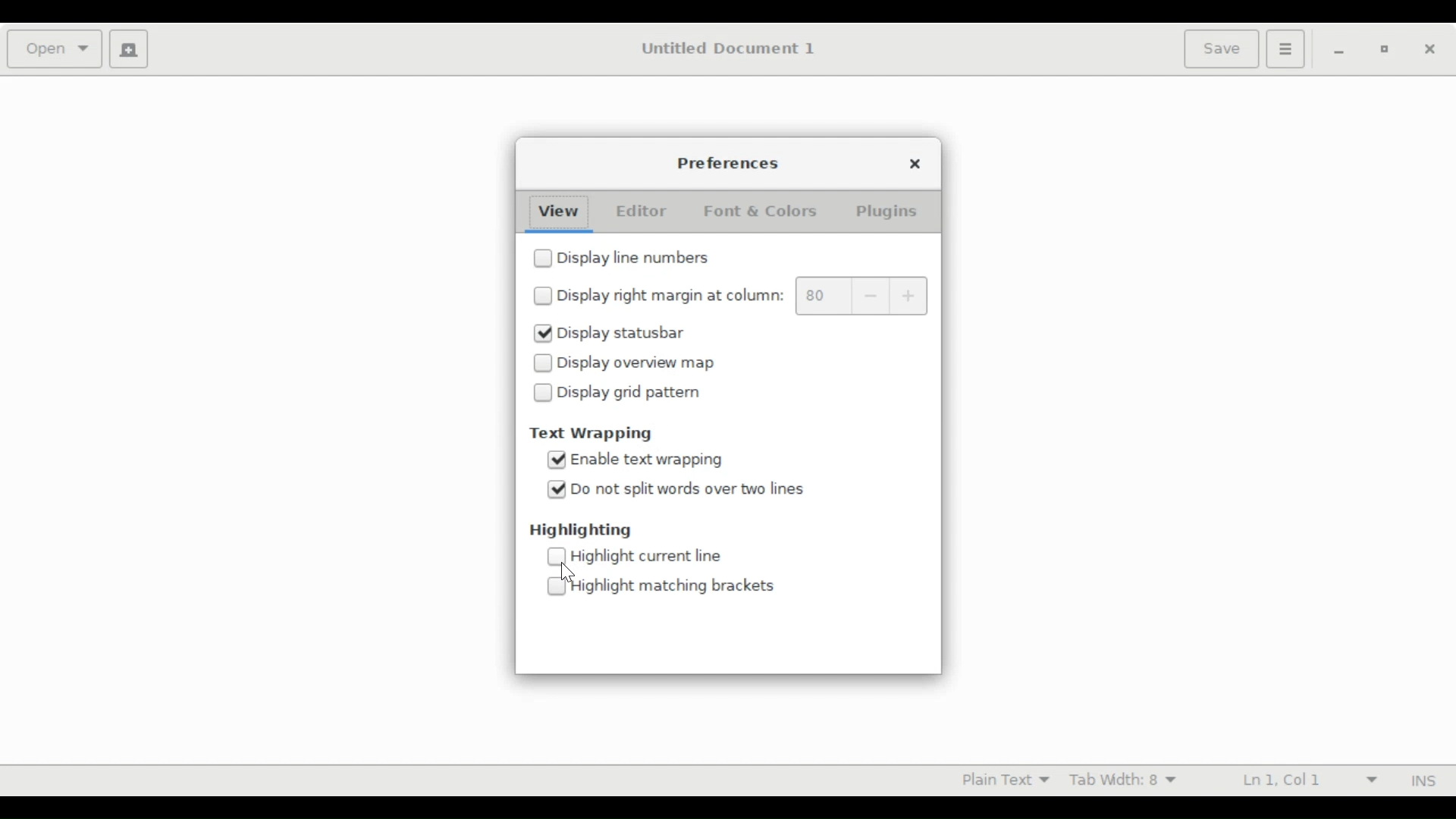  Describe the element at coordinates (543, 362) in the screenshot. I see `checkbox` at that location.